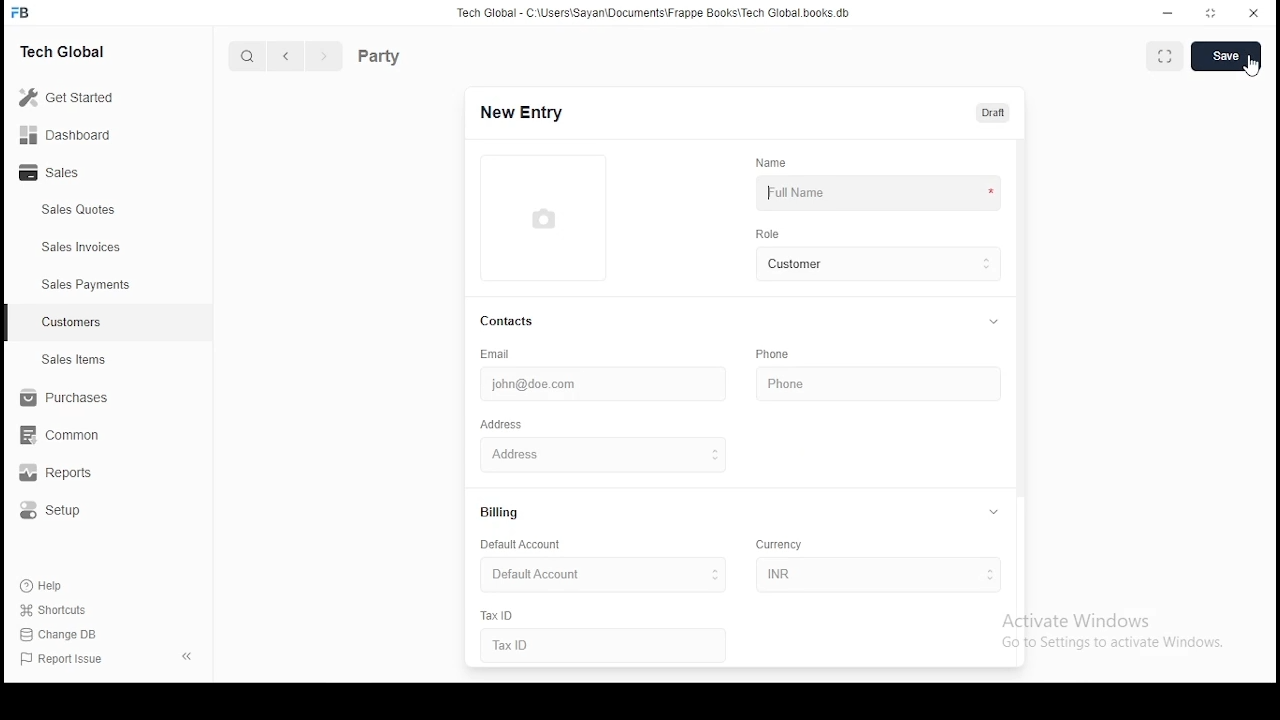 This screenshot has height=720, width=1280. I want to click on purchase, so click(59, 398).